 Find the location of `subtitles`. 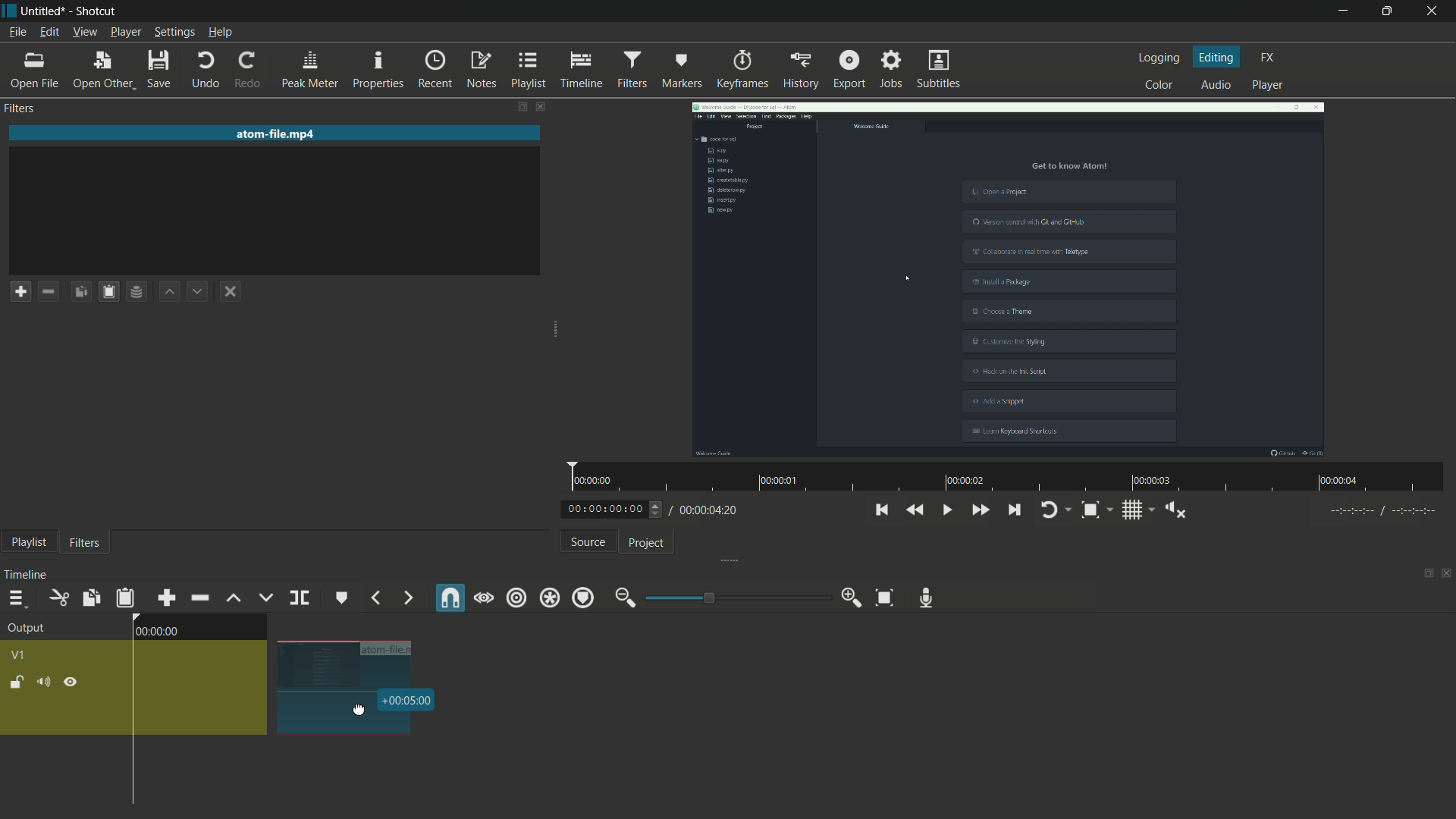

subtitles is located at coordinates (938, 69).